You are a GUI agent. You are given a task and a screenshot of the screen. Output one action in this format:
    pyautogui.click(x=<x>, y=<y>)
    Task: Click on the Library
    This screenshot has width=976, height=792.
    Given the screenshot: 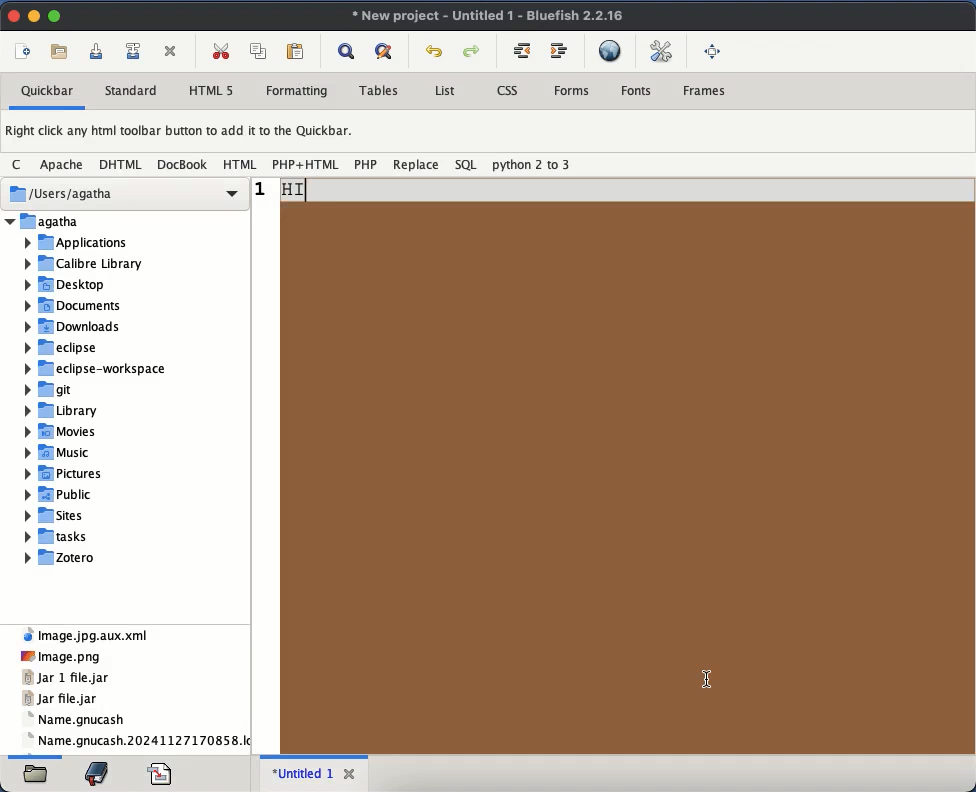 What is the action you would take?
    pyautogui.click(x=59, y=410)
    